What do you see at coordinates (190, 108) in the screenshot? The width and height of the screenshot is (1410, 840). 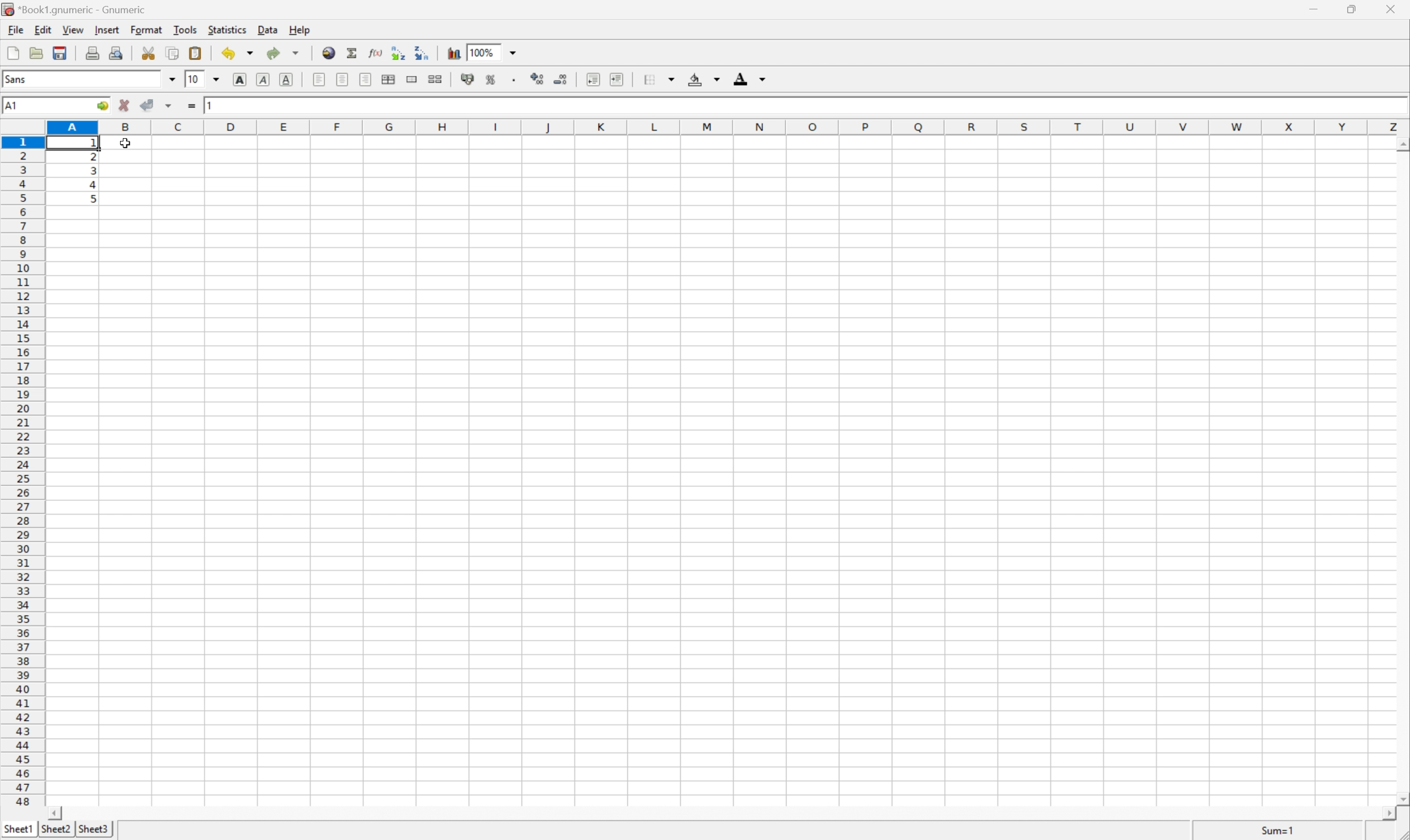 I see `Enter formula` at bounding box center [190, 108].